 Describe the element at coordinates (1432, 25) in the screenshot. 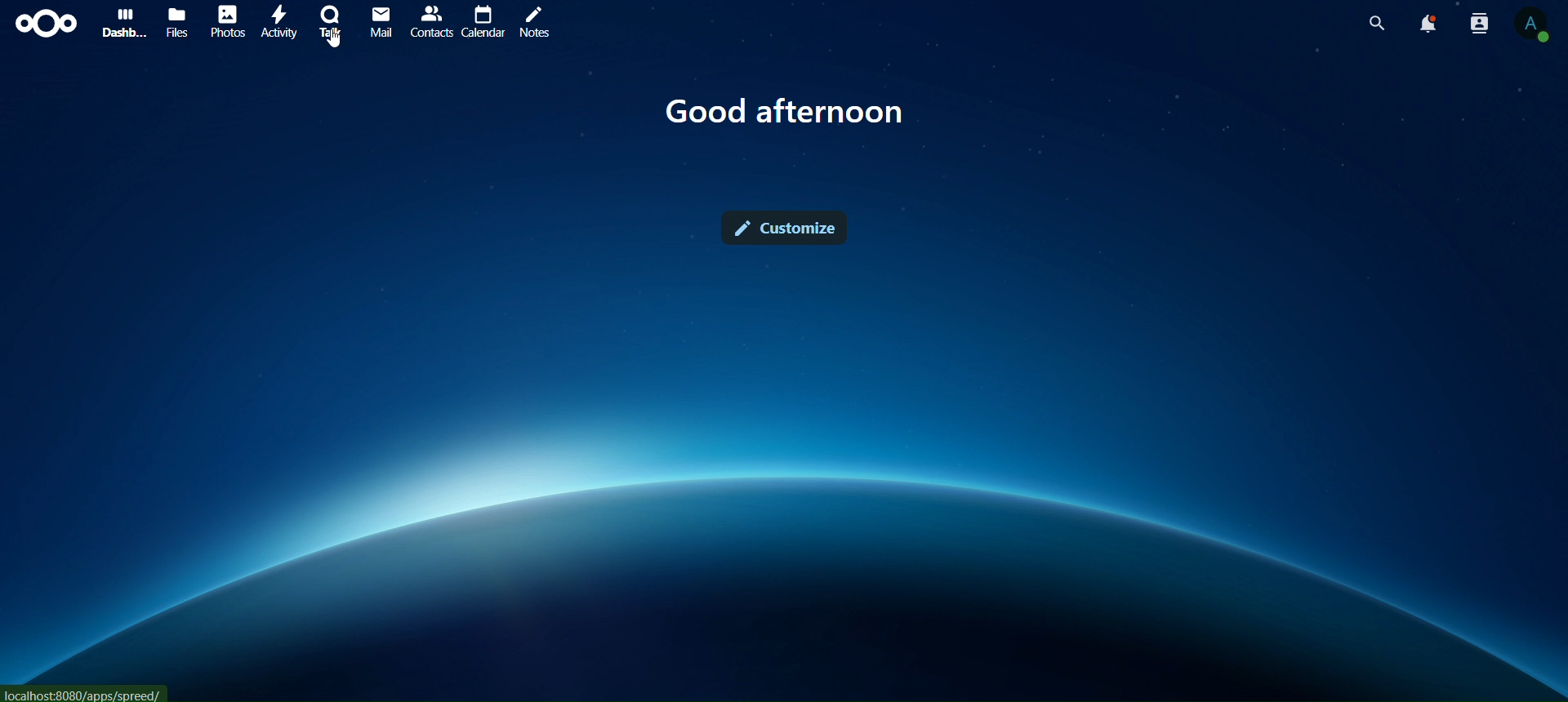

I see `notifications` at that location.